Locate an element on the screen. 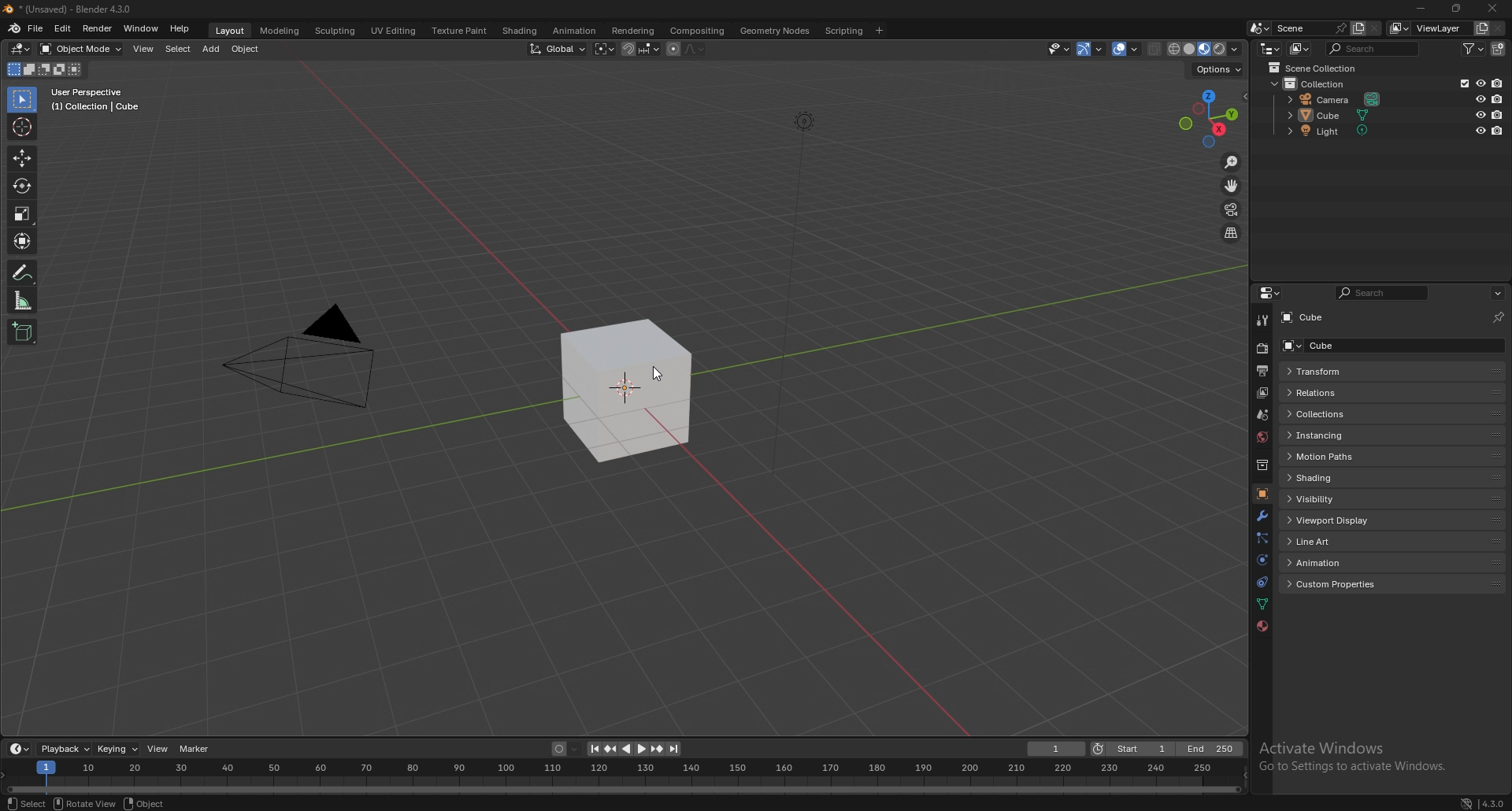 The image size is (1512, 811). toggle pin id is located at coordinates (1499, 317).